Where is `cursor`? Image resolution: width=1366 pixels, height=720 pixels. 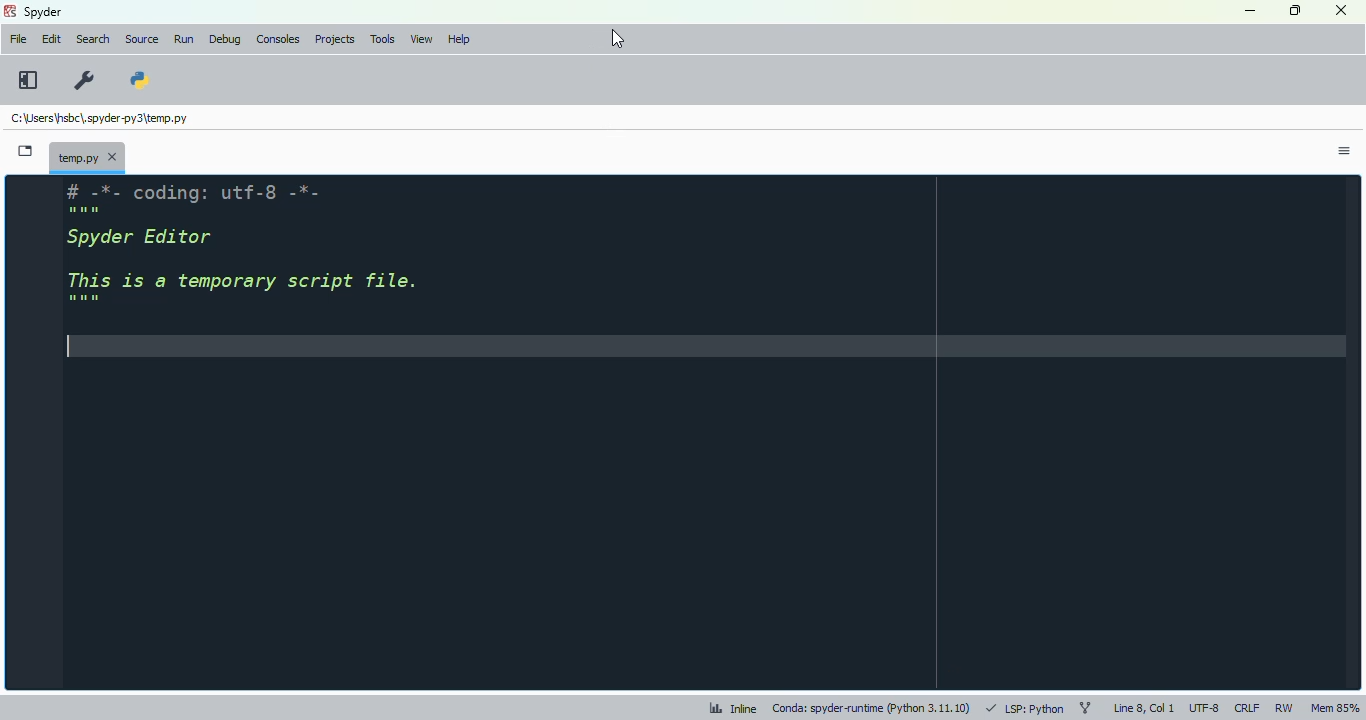
cursor is located at coordinates (618, 39).